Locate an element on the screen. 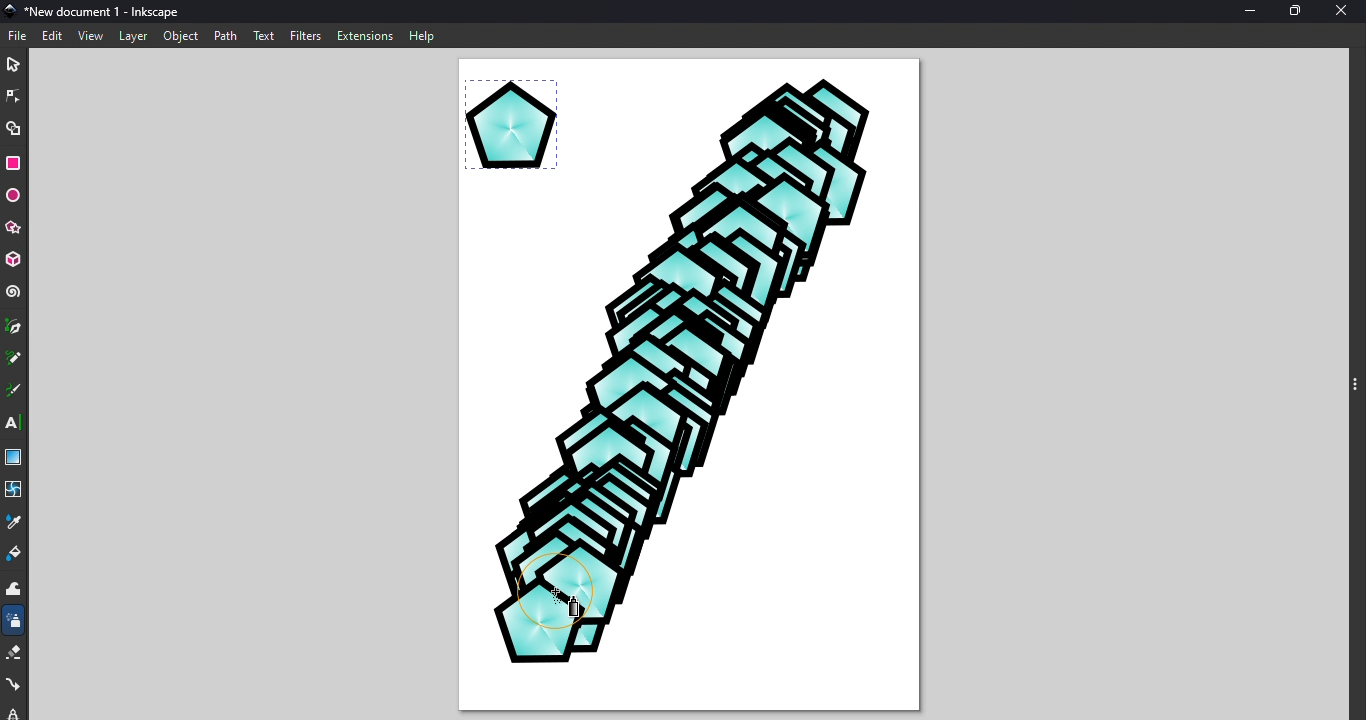 Image resolution: width=1366 pixels, height=720 pixels. Star/polygon tool is located at coordinates (16, 227).